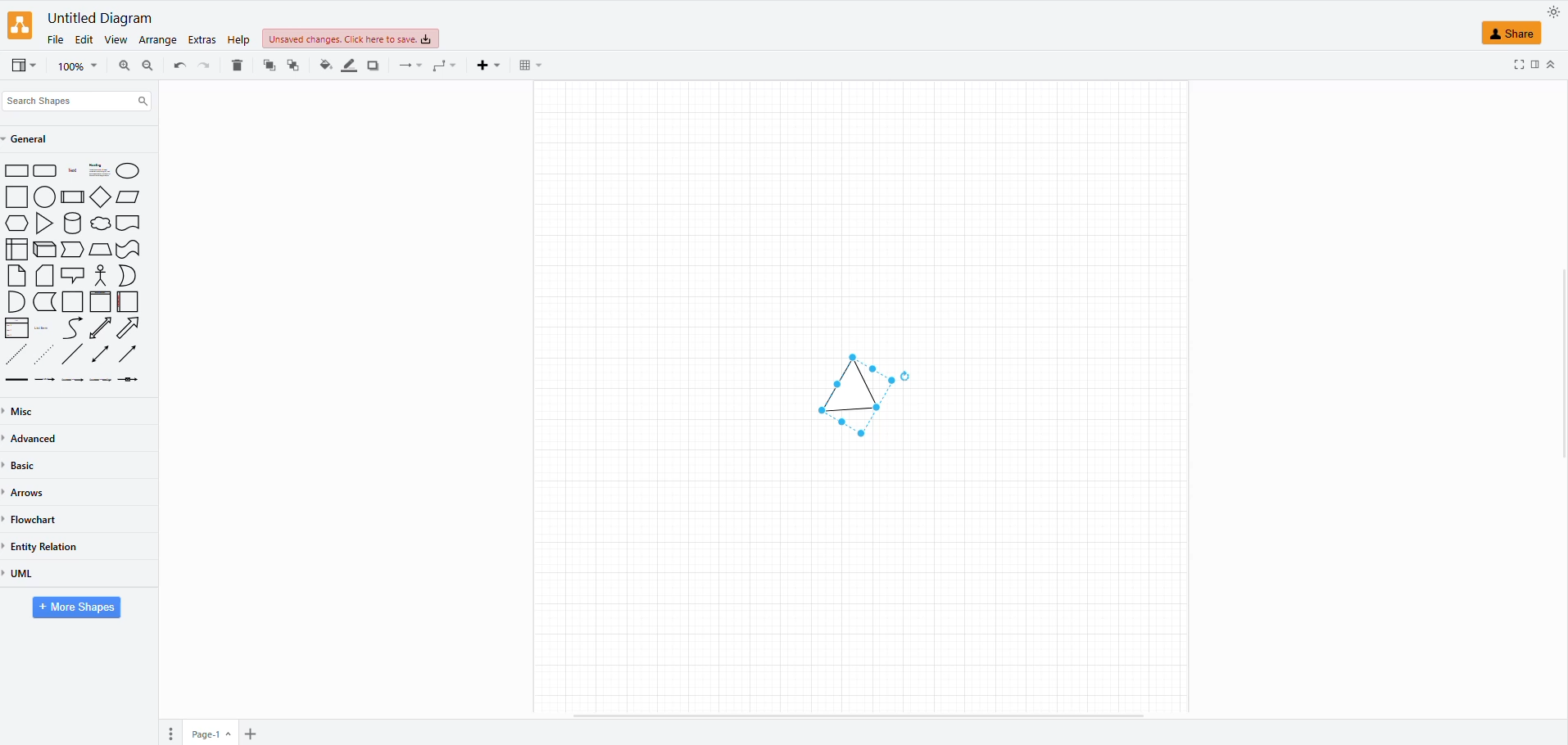 This screenshot has width=1568, height=745. Describe the element at coordinates (73, 249) in the screenshot. I see `Forward` at that location.